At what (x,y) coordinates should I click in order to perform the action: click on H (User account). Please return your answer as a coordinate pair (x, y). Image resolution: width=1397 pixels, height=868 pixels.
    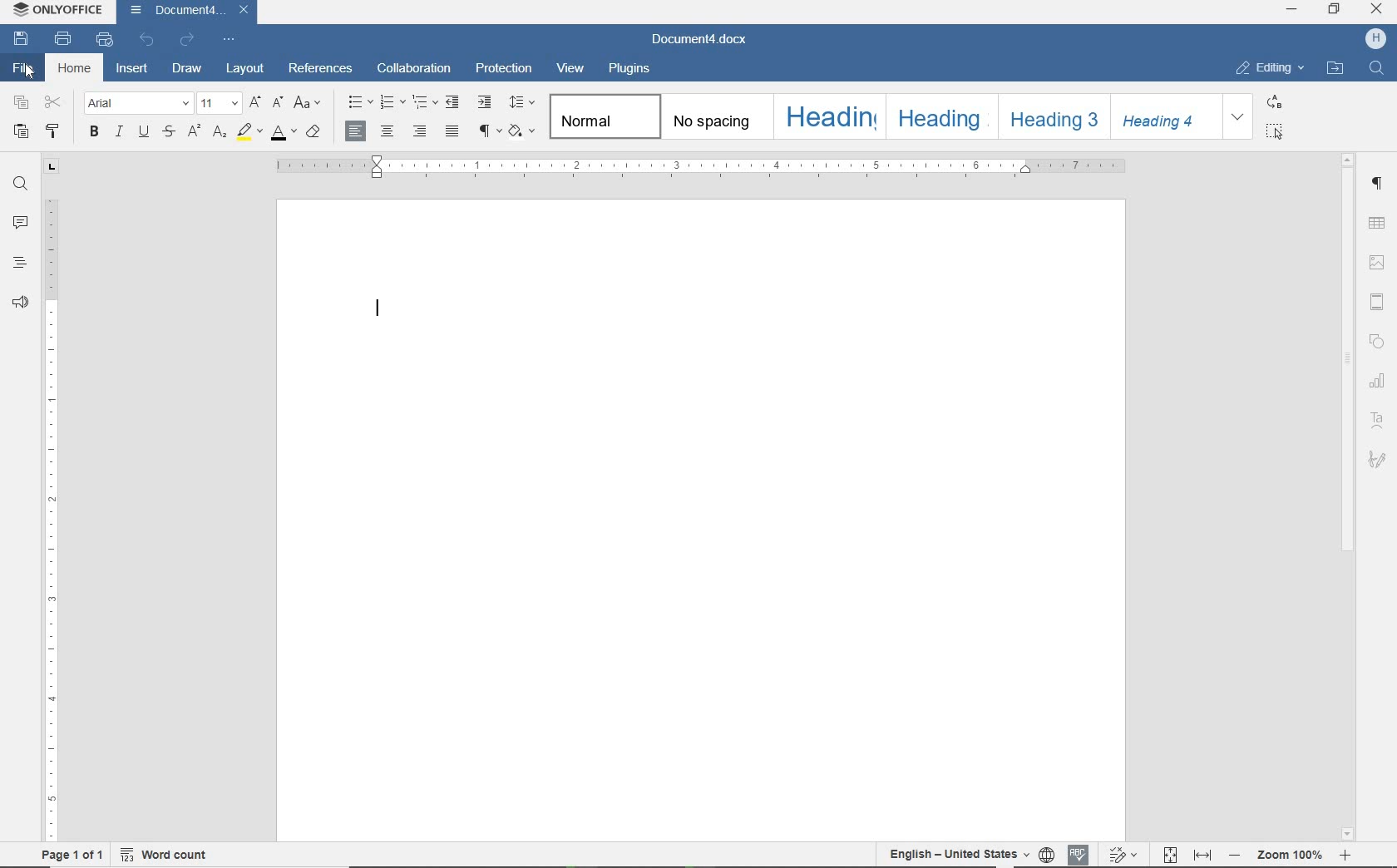
    Looking at the image, I should click on (1377, 40).